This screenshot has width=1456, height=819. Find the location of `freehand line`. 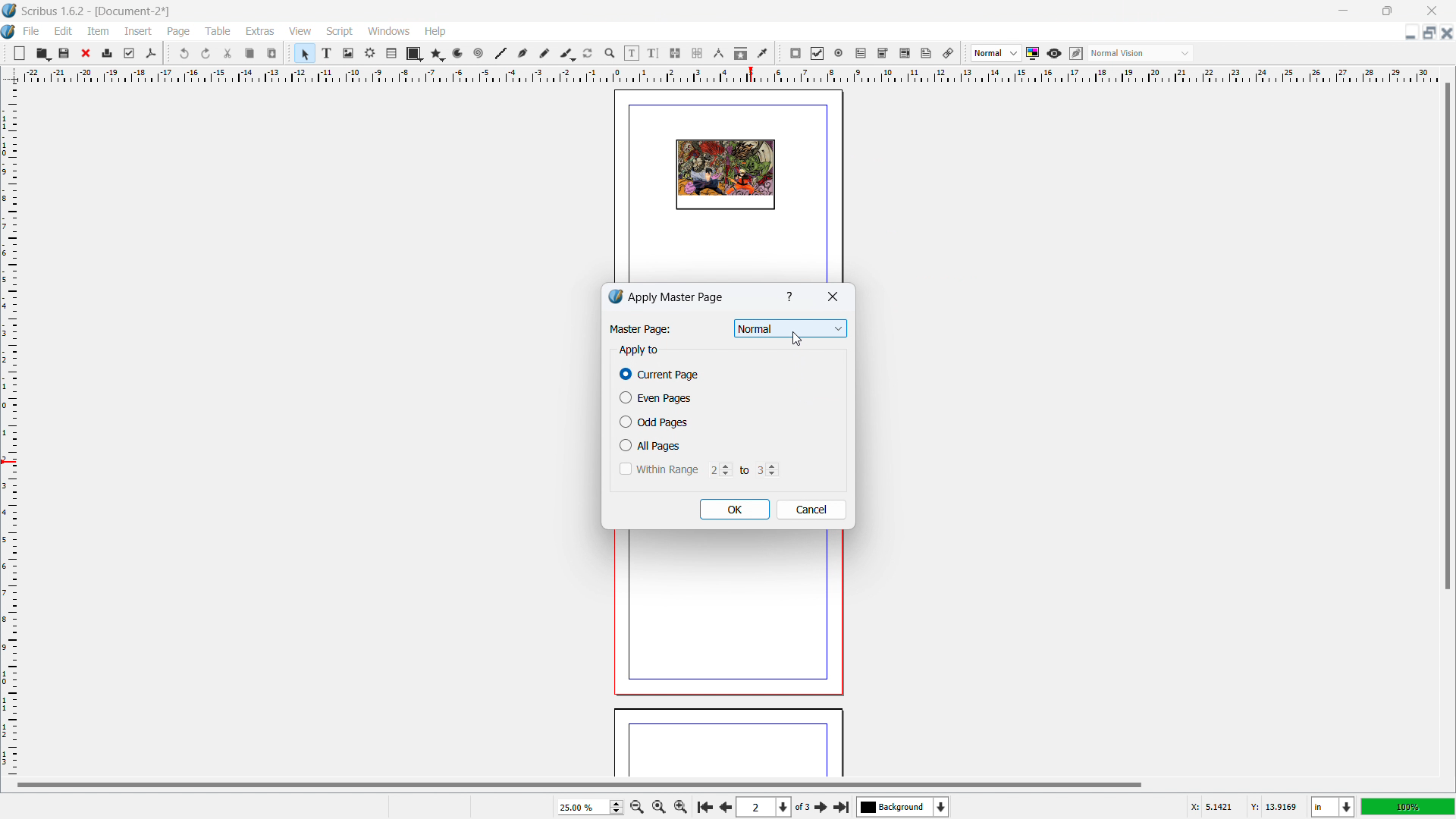

freehand line is located at coordinates (545, 54).